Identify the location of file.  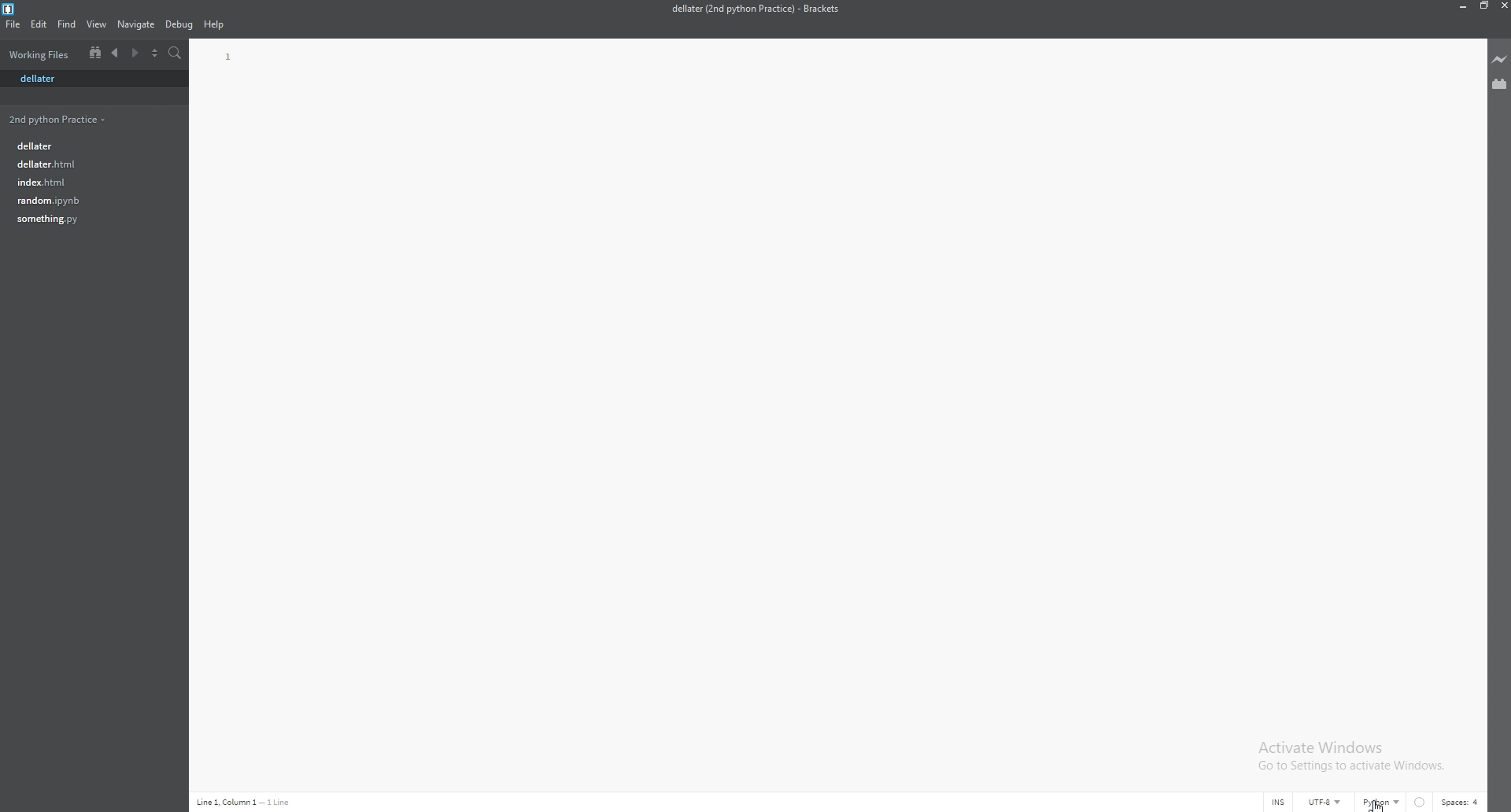
(86, 181).